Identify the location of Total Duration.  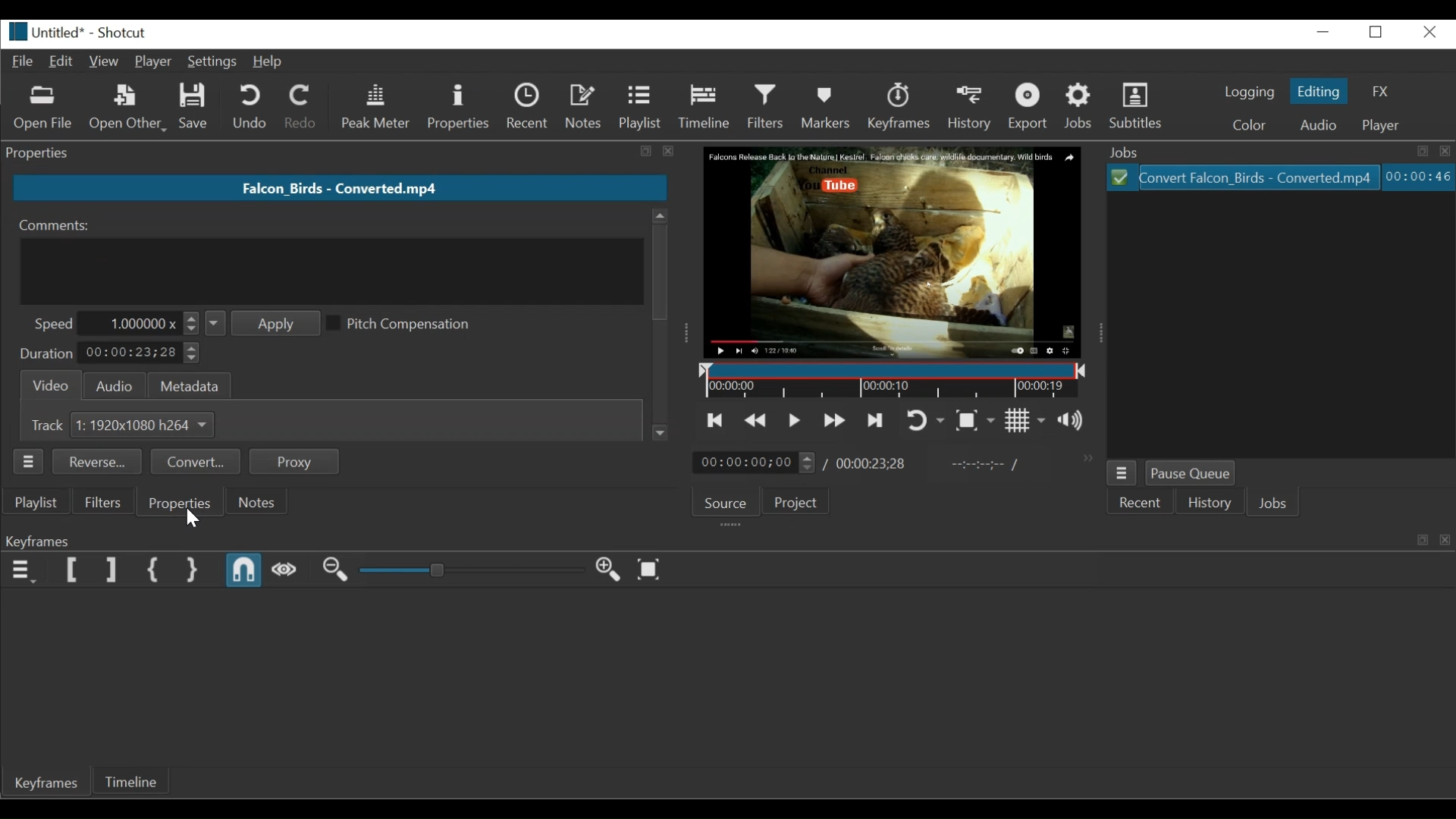
(871, 463).